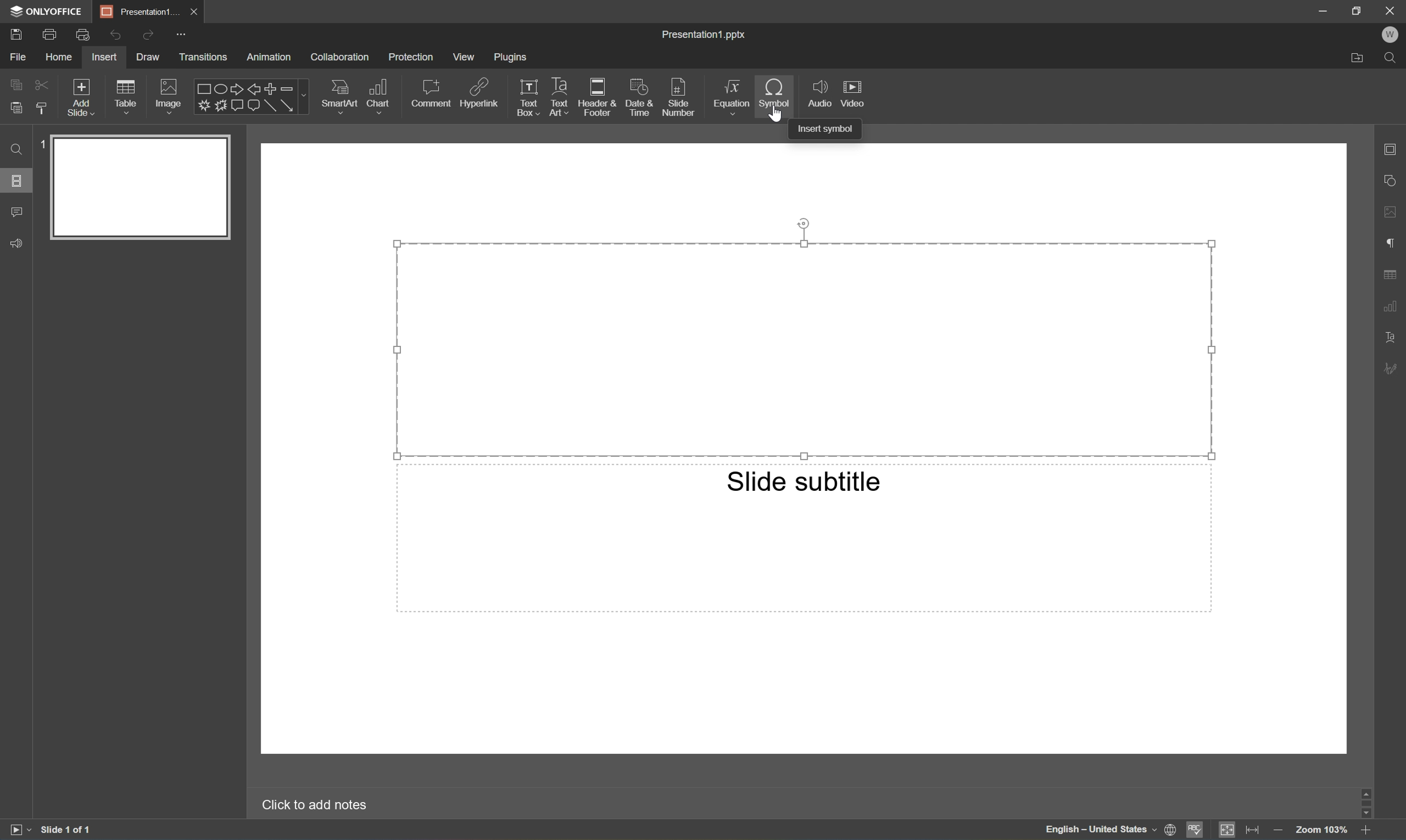  Describe the element at coordinates (137, 11) in the screenshot. I see `Presentation1...` at that location.